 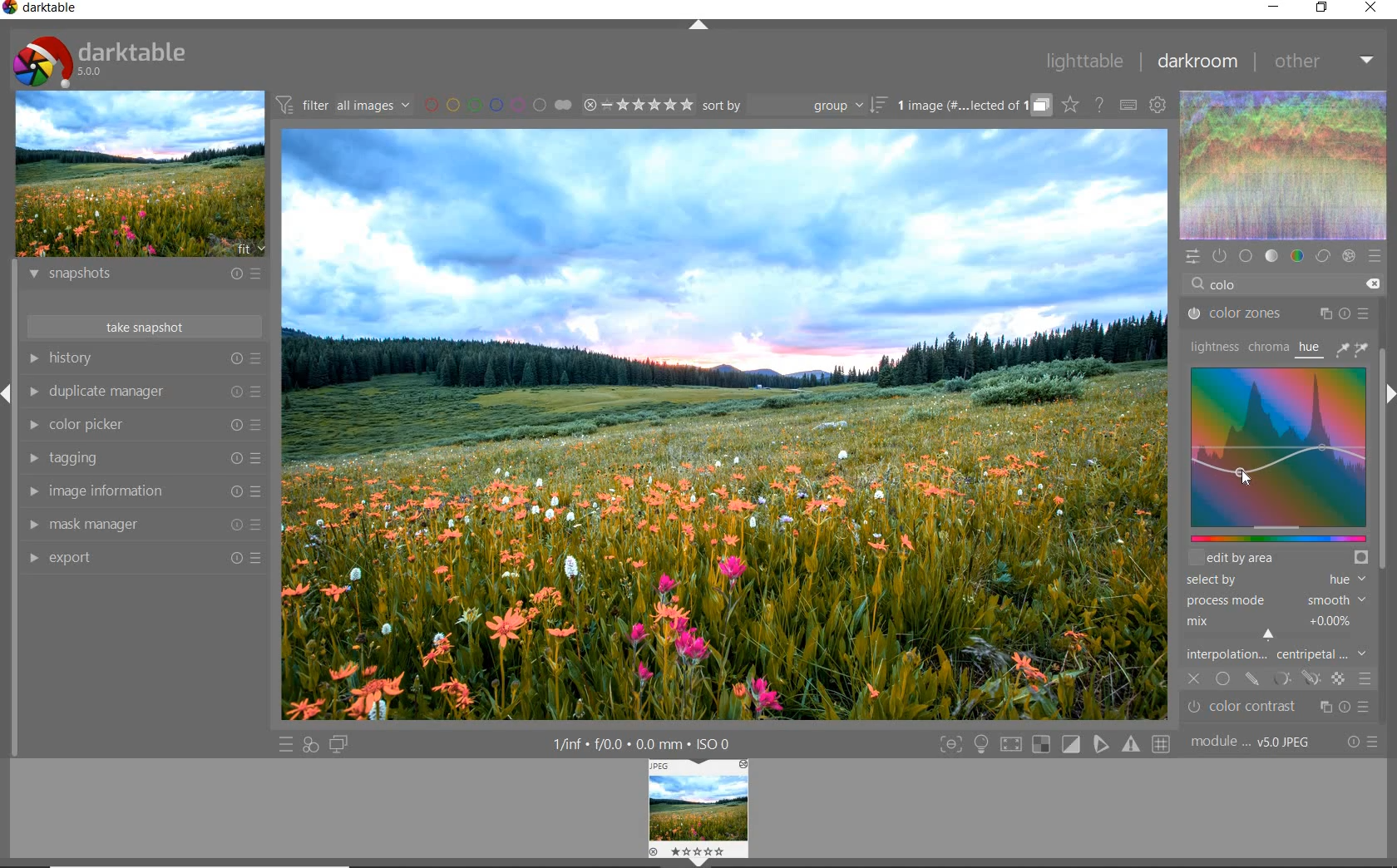 What do you see at coordinates (141, 492) in the screenshot?
I see `image information` at bounding box center [141, 492].